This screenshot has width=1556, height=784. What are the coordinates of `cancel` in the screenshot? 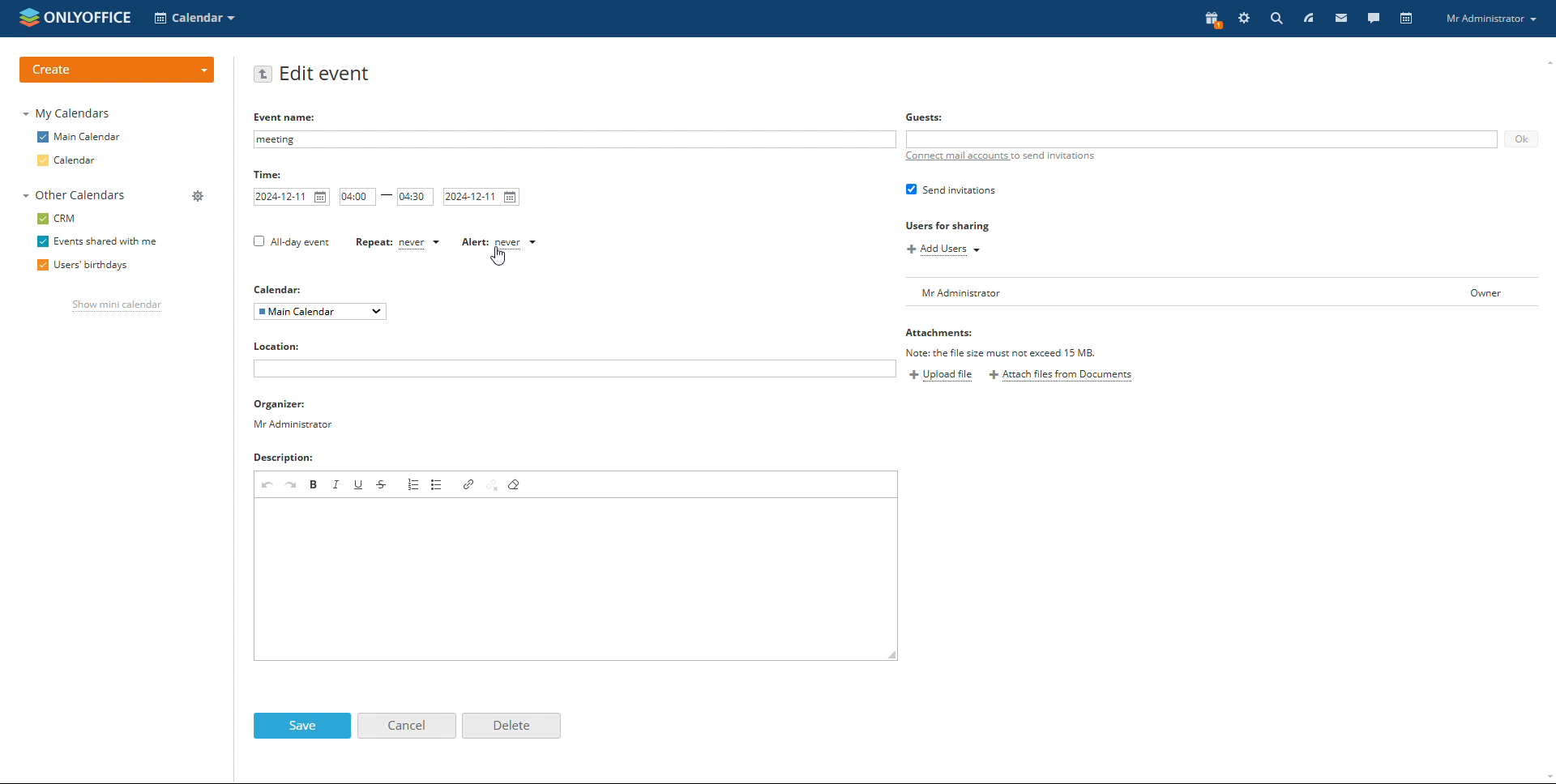 It's located at (406, 725).